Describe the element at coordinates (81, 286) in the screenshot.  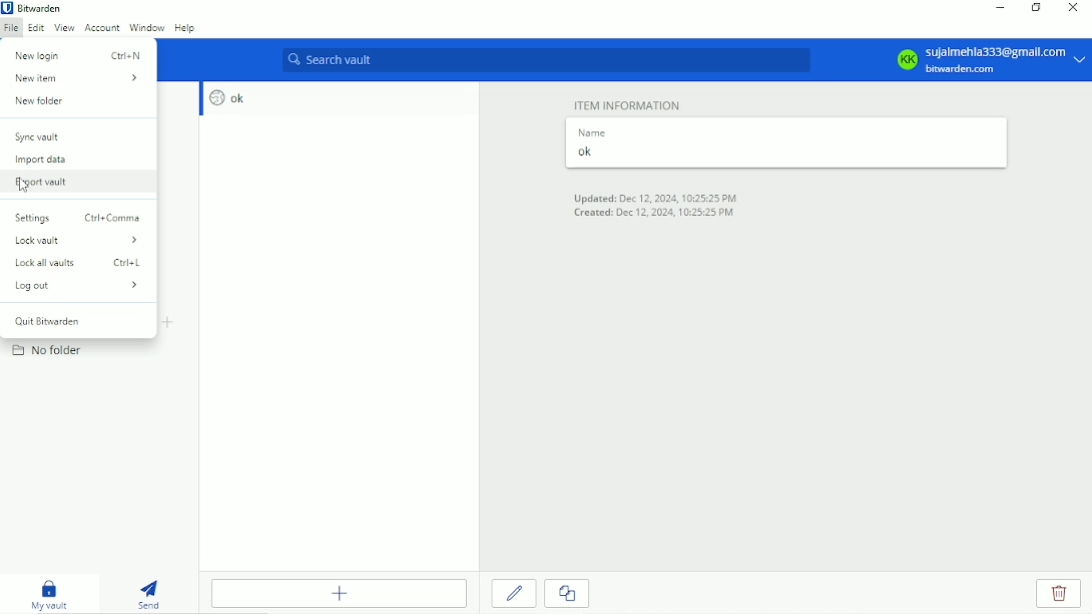
I see `Log out` at that location.